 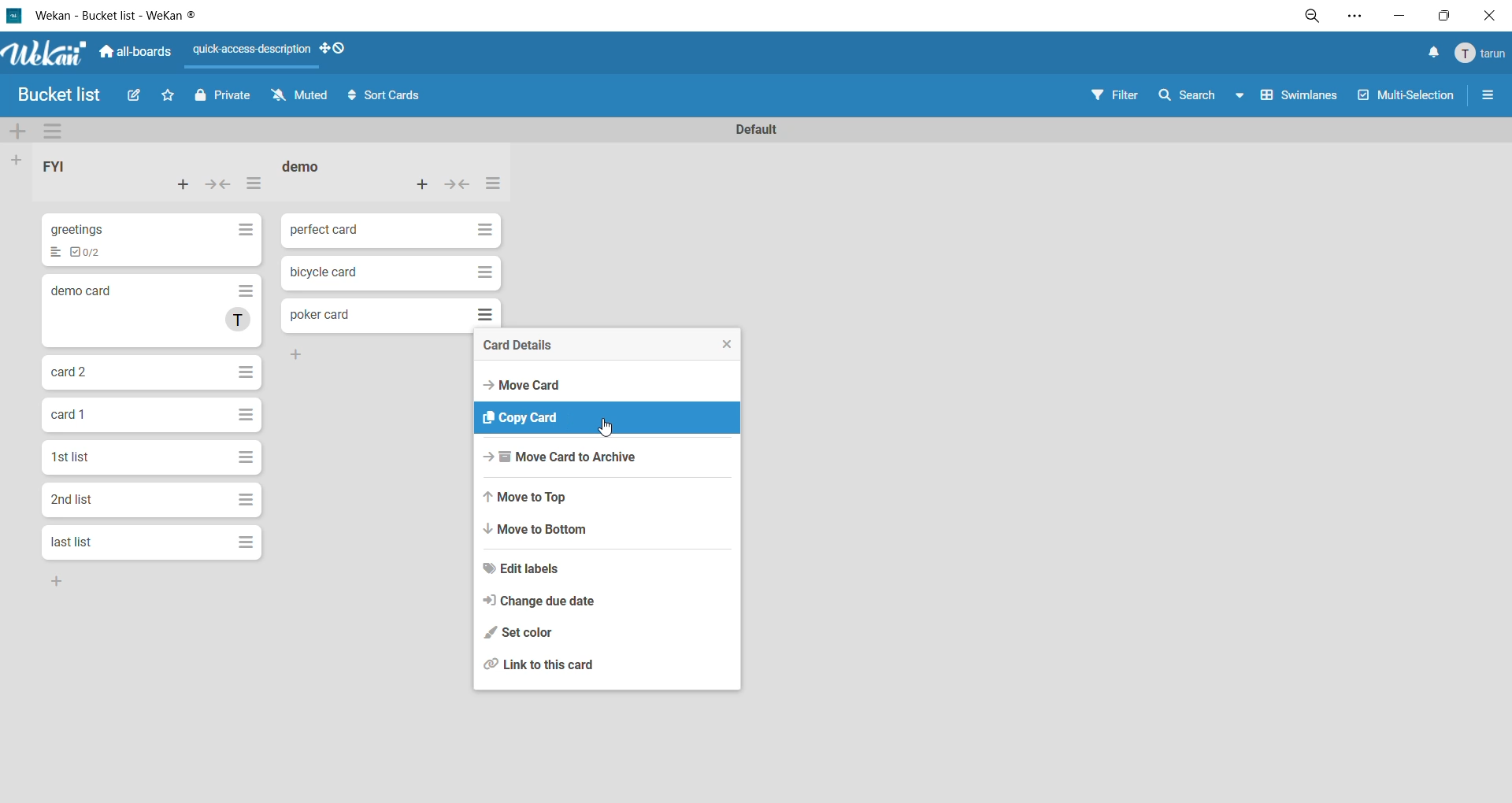 I want to click on sort cards, so click(x=385, y=96).